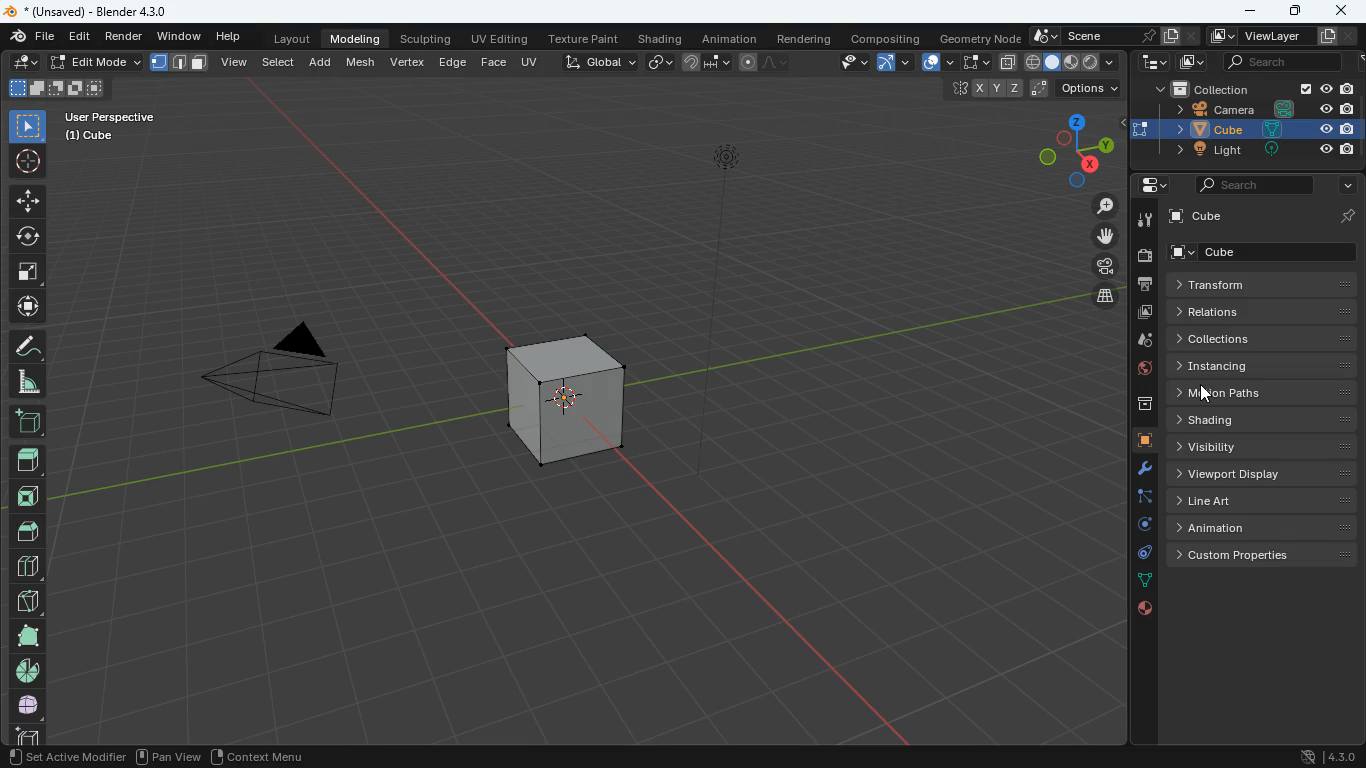  What do you see at coordinates (1139, 556) in the screenshot?
I see `control` at bounding box center [1139, 556].